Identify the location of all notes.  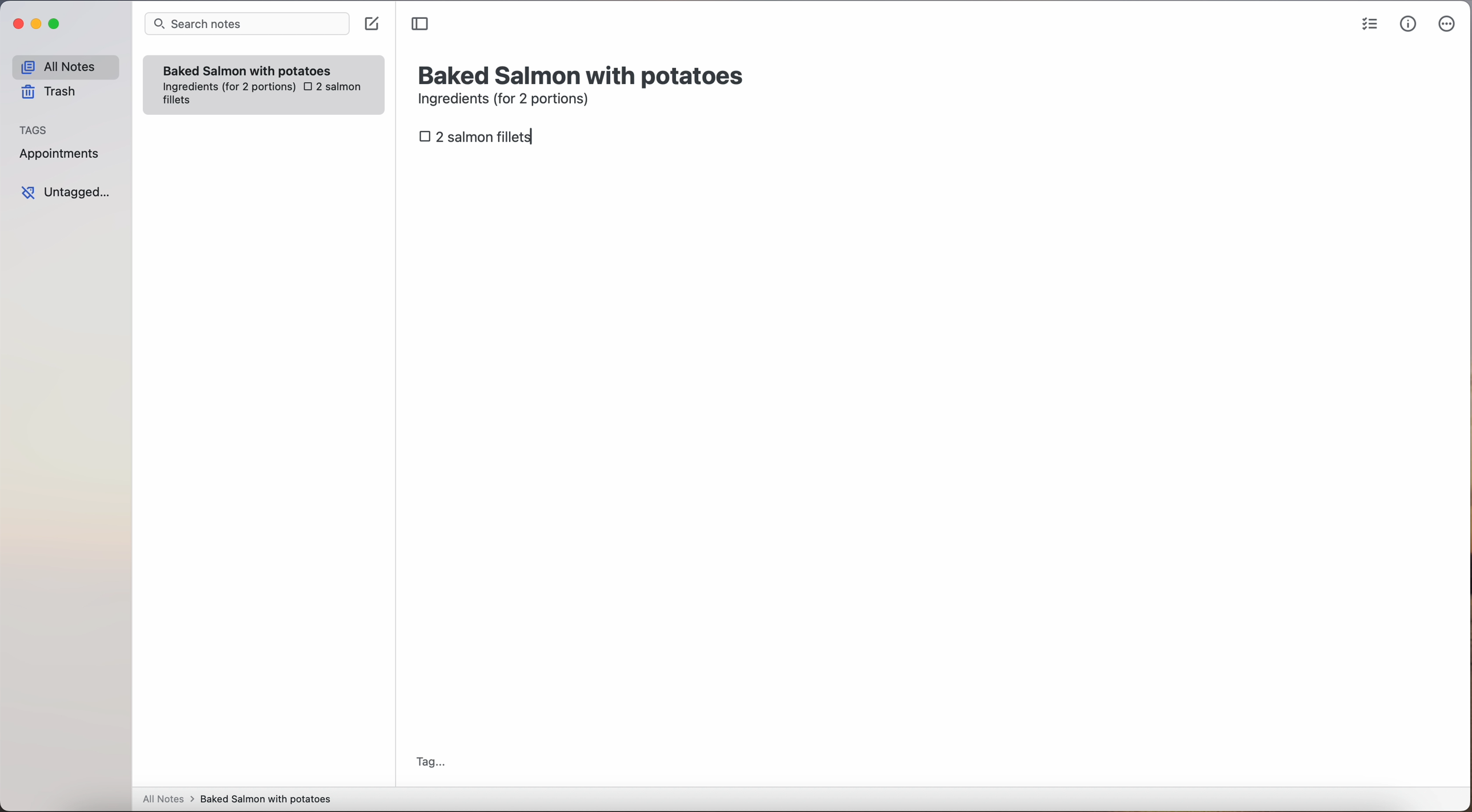
(65, 66).